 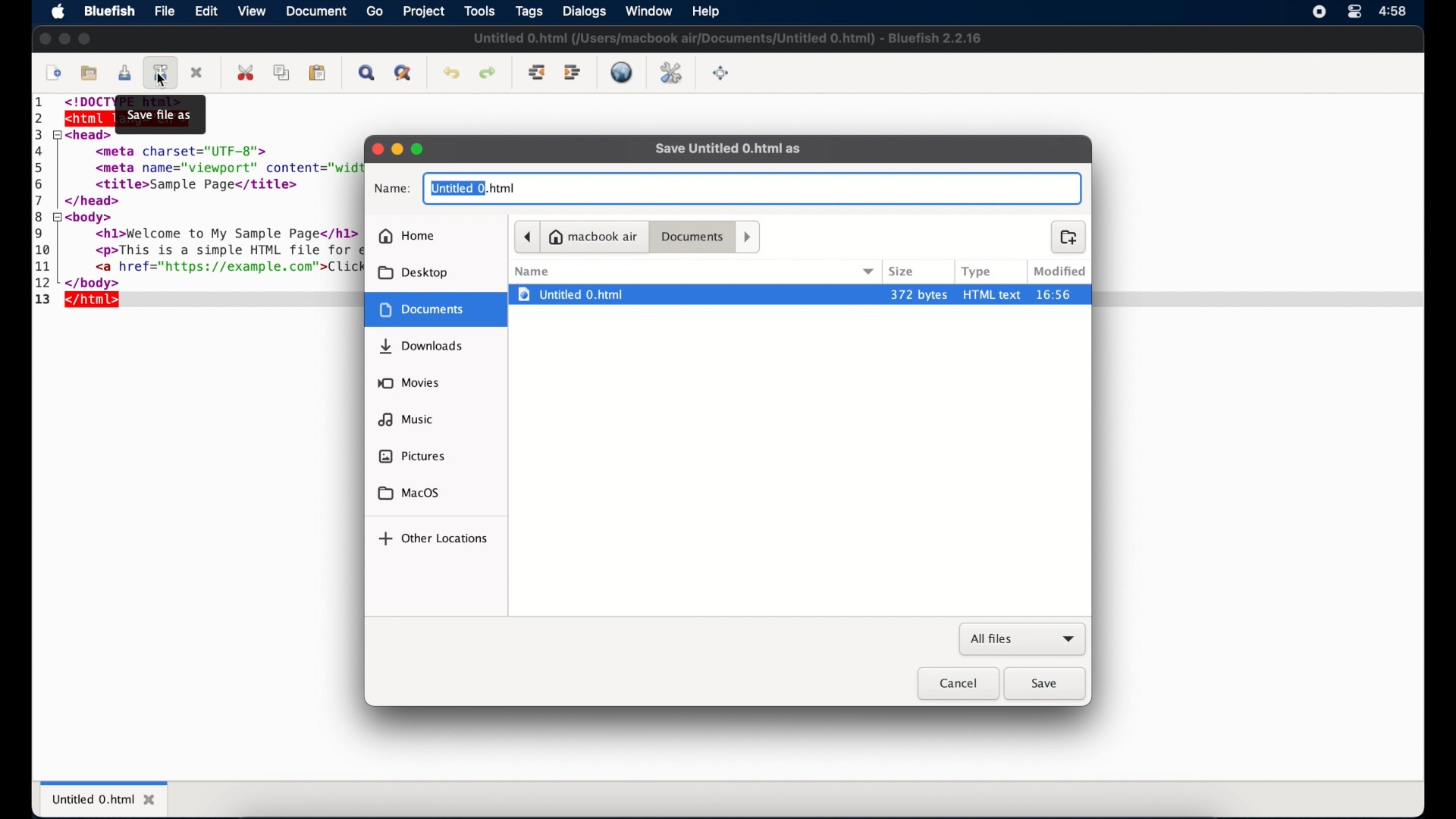 I want to click on time, so click(x=1394, y=11).